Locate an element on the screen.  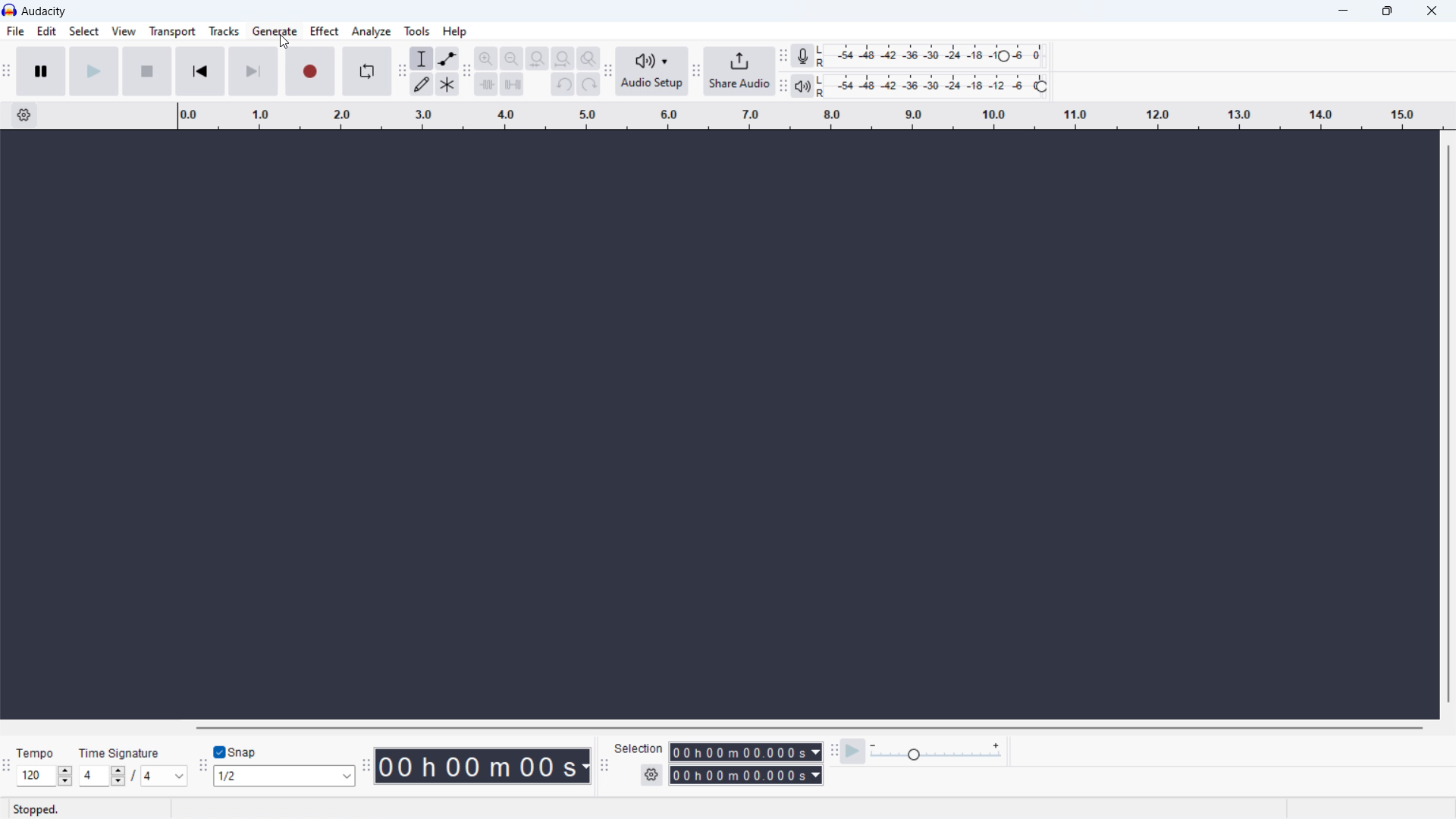
share audio is located at coordinates (739, 72).